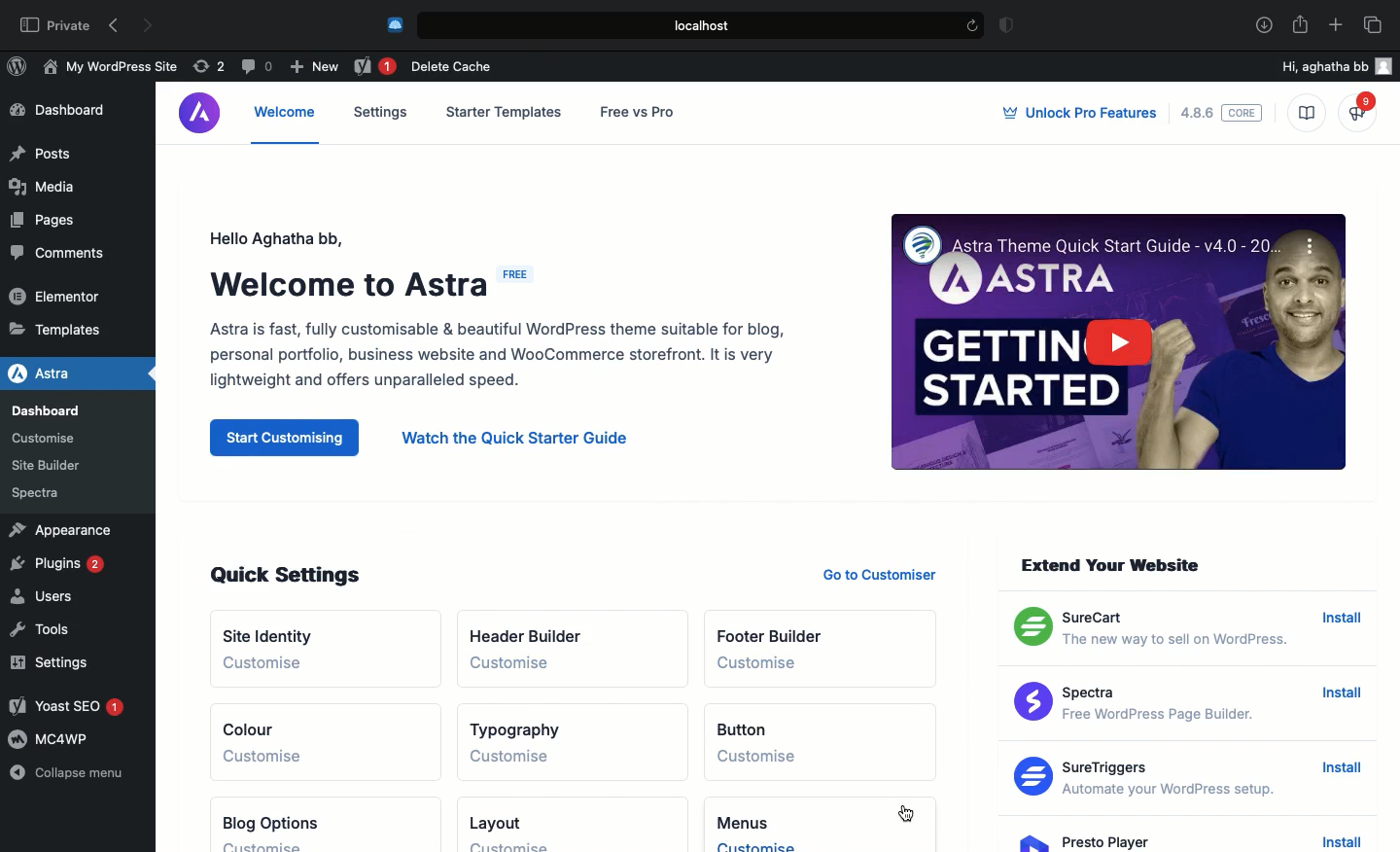  What do you see at coordinates (1115, 564) in the screenshot?
I see `Extend your website` at bounding box center [1115, 564].